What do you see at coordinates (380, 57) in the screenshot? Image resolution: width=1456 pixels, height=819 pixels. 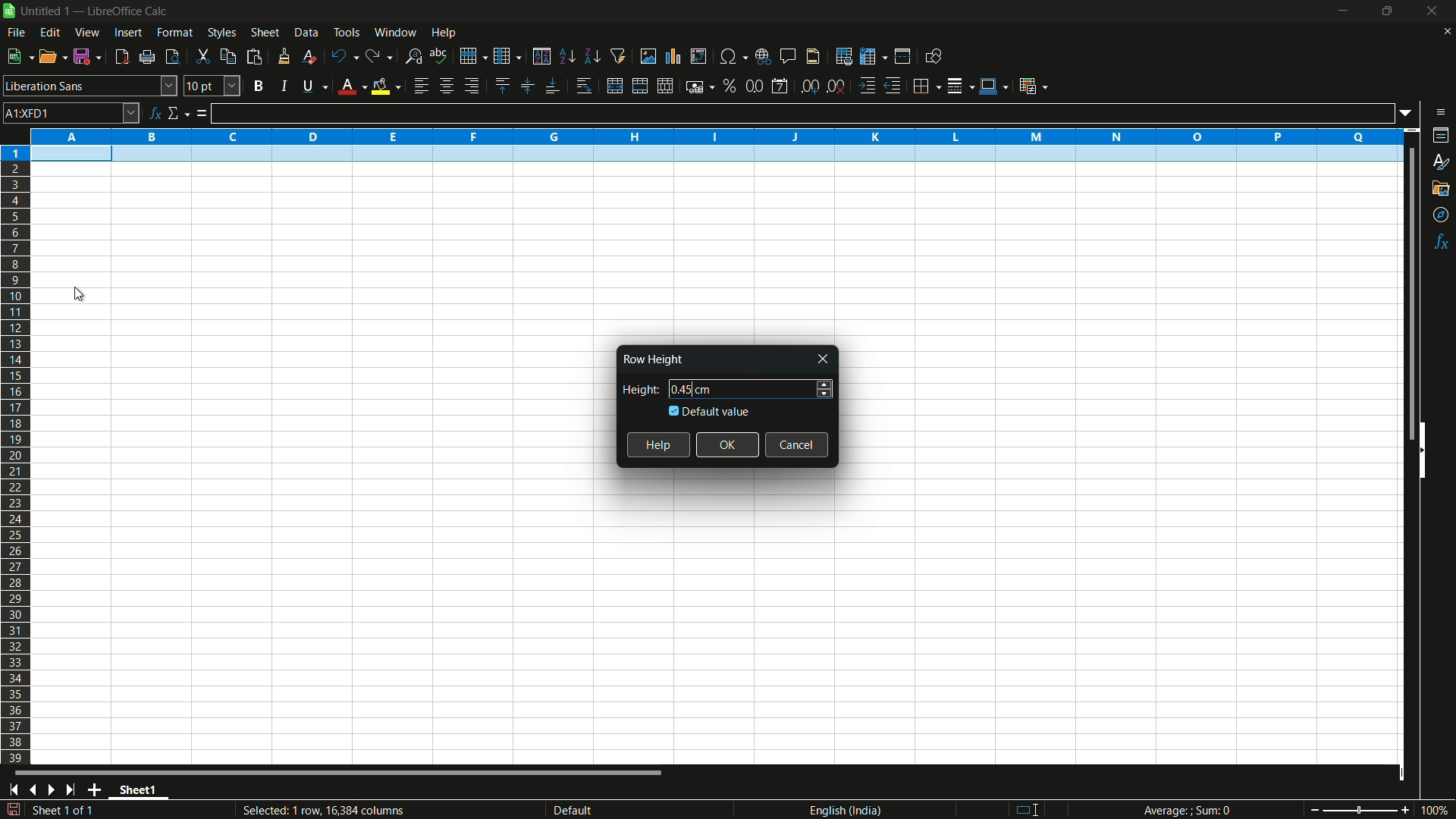 I see `redo` at bounding box center [380, 57].